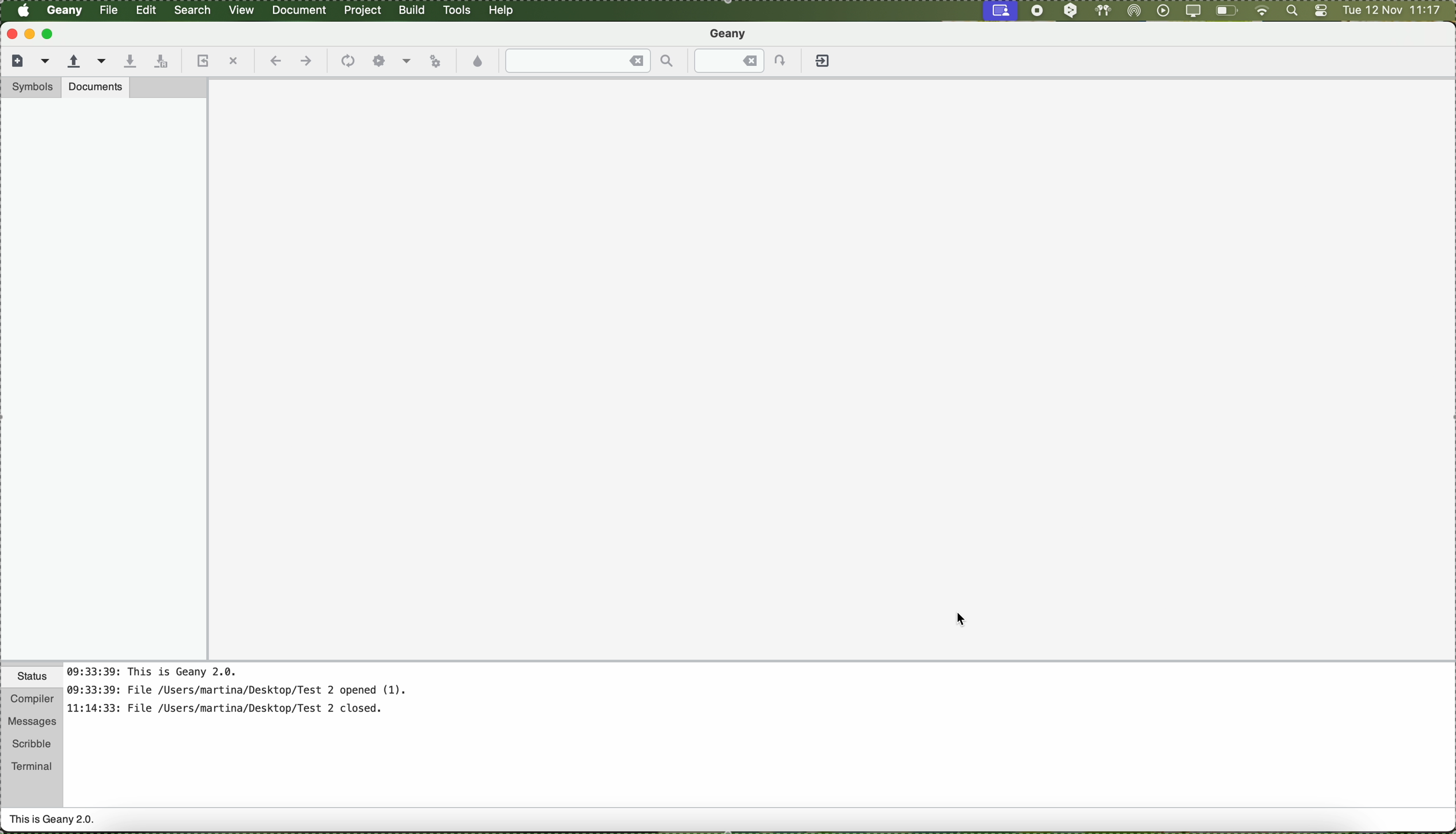 The image size is (1456, 834). What do you see at coordinates (1071, 11) in the screenshot?
I see `DeepL` at bounding box center [1071, 11].